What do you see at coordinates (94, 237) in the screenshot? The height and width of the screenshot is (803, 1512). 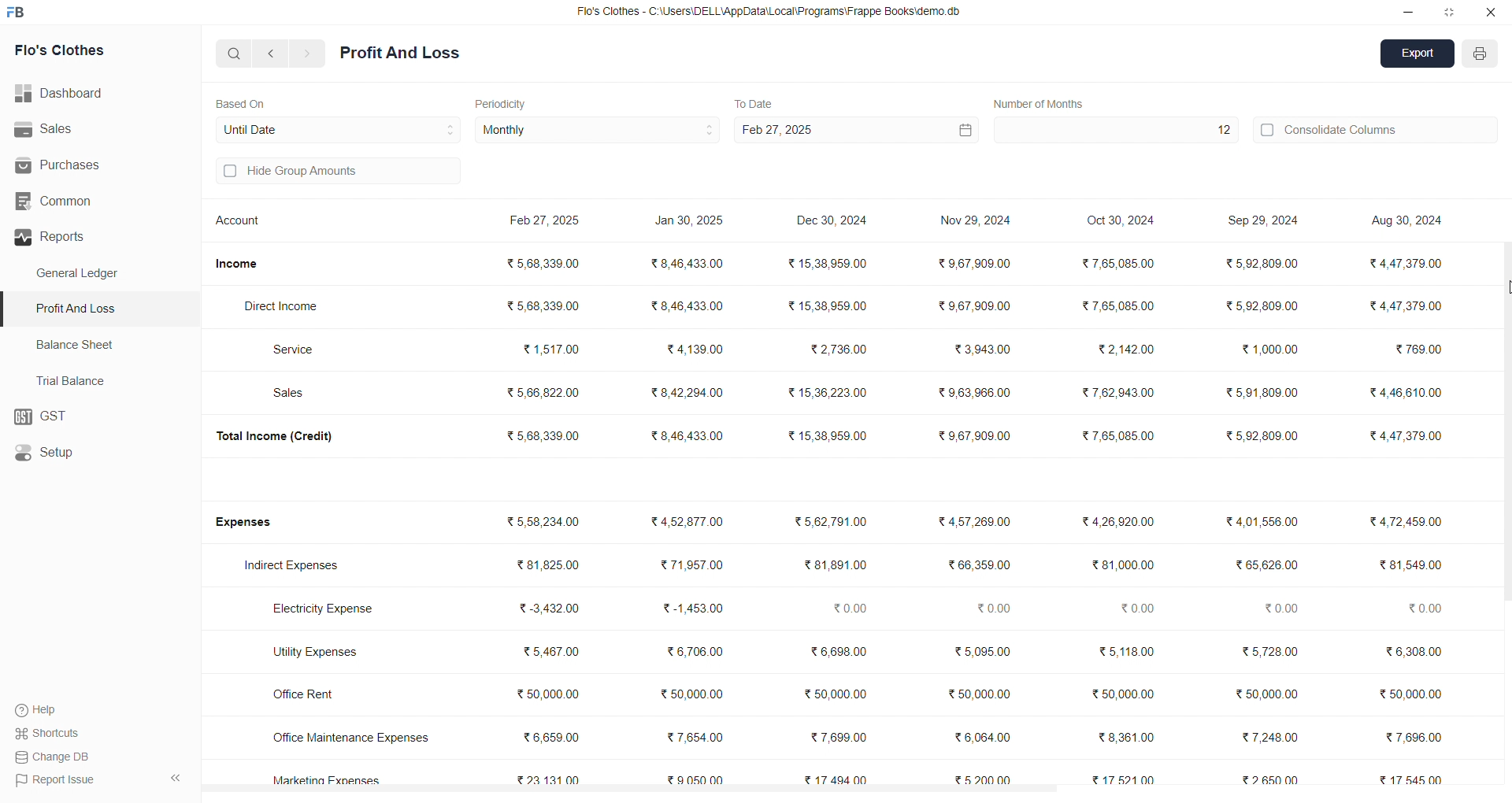 I see `Reports` at bounding box center [94, 237].